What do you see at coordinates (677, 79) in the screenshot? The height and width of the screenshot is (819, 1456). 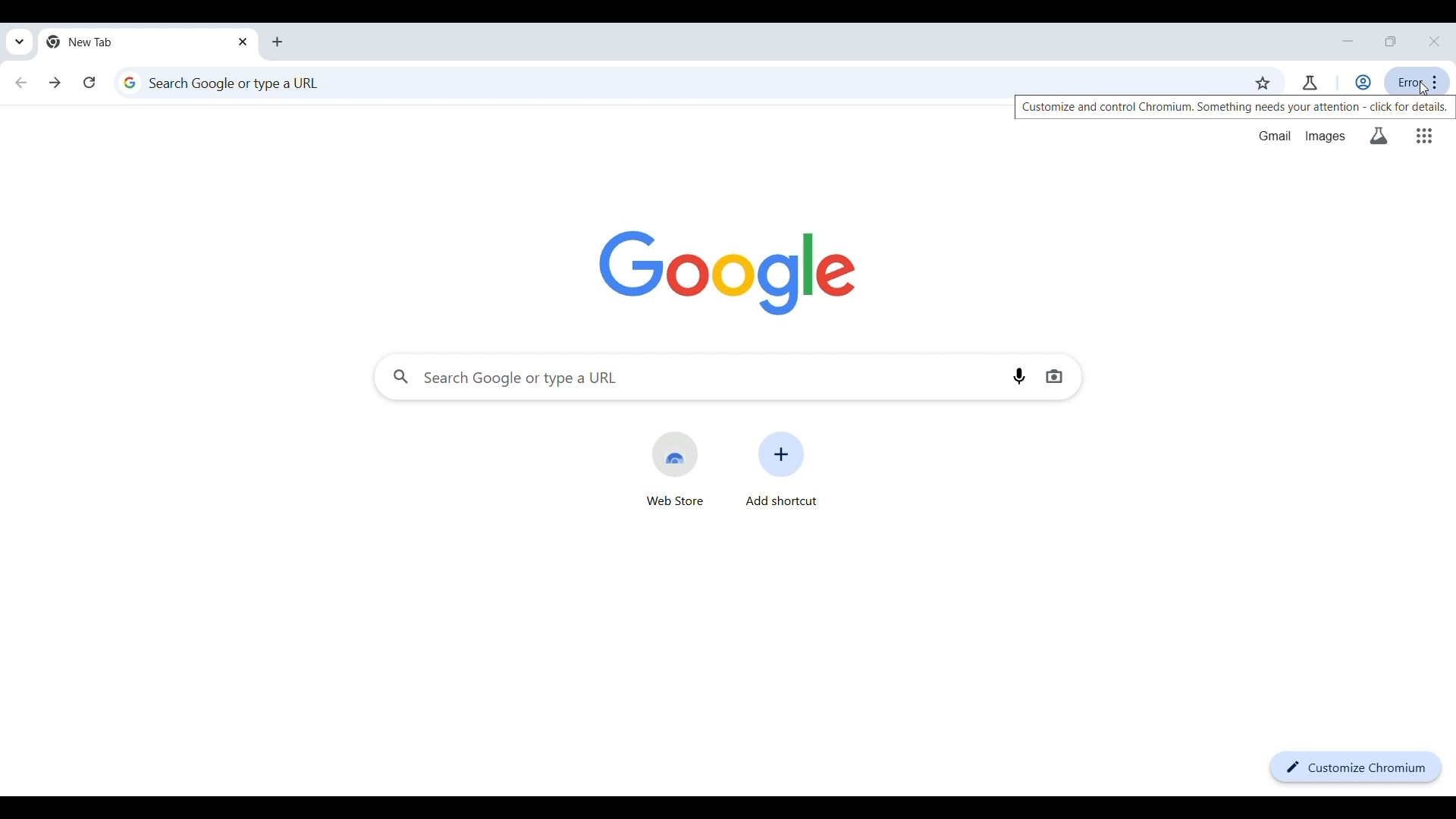 I see `Search Google or type a url ` at bounding box center [677, 79].